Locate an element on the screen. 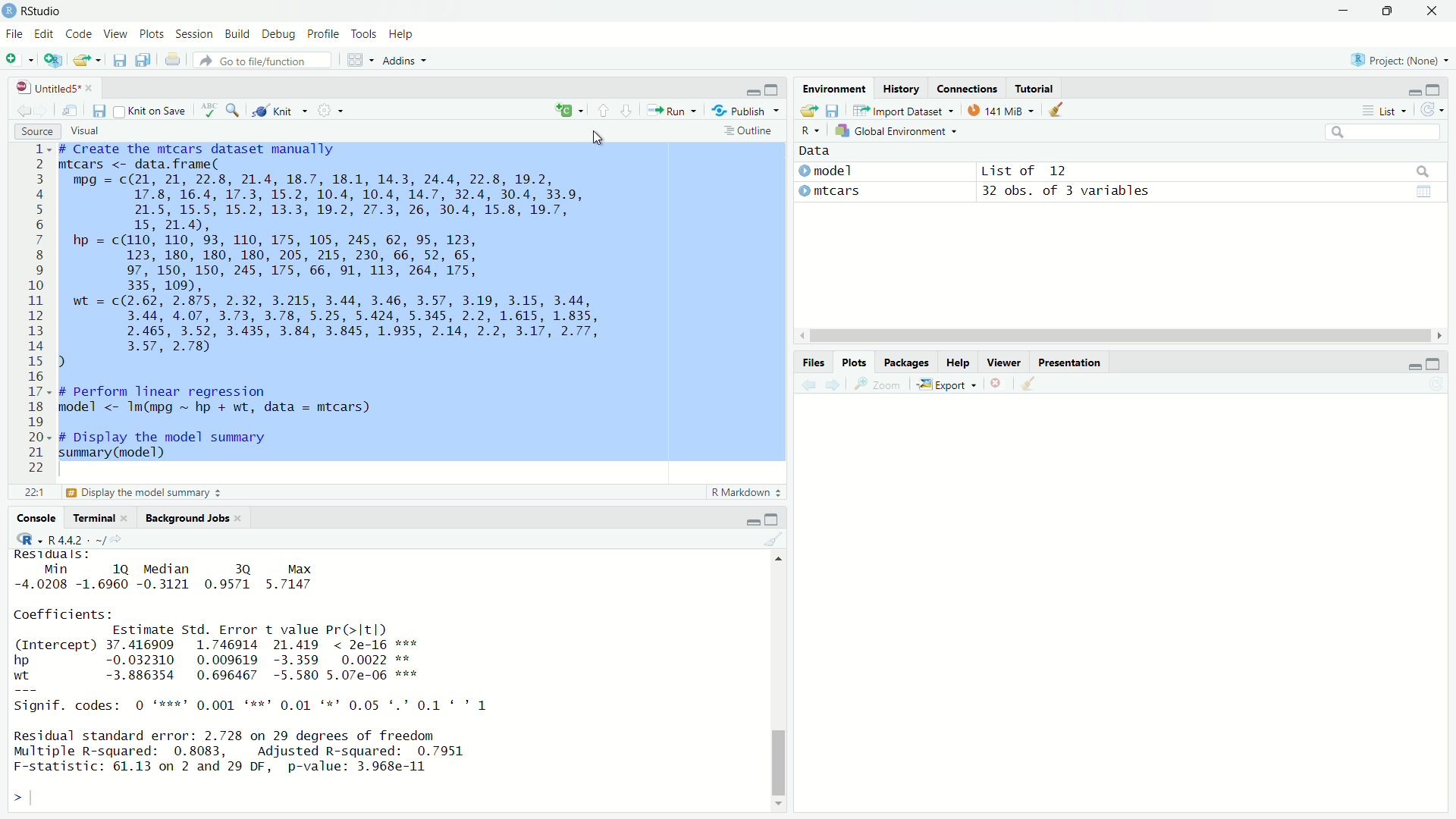 Image resolution: width=1456 pixels, height=819 pixels. minimize is located at coordinates (1411, 366).